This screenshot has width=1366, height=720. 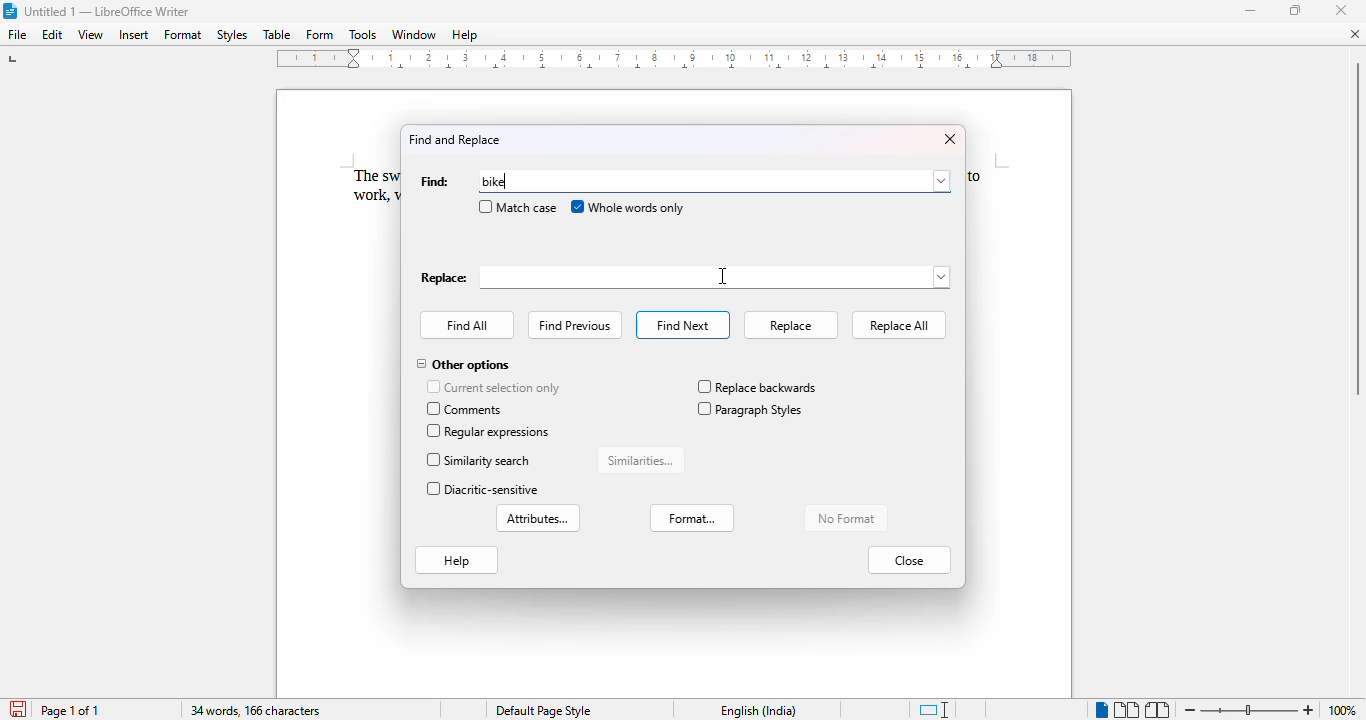 I want to click on 34 words, 166 characters, so click(x=255, y=711).